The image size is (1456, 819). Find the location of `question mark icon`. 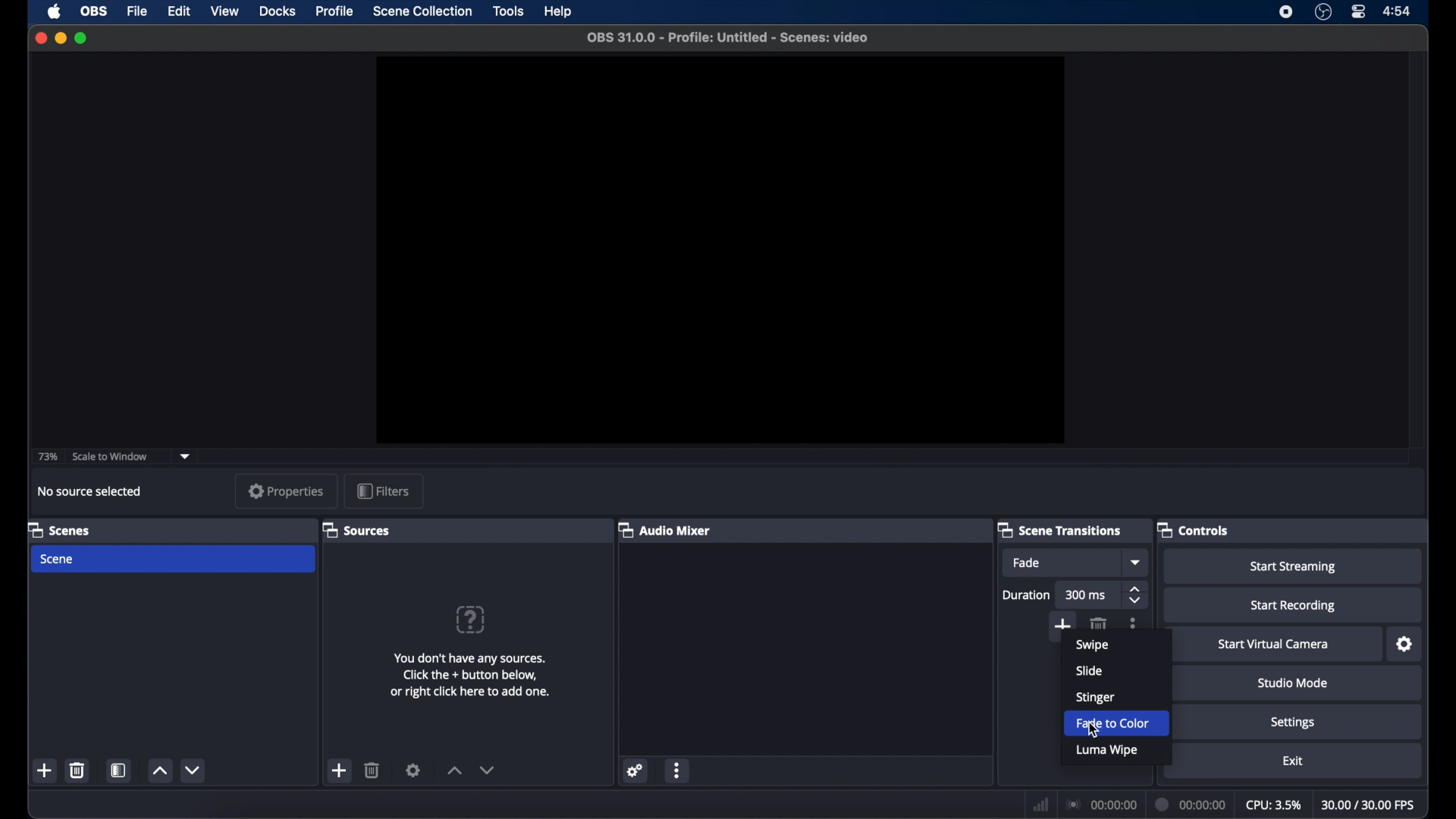

question mark icon is located at coordinates (472, 620).